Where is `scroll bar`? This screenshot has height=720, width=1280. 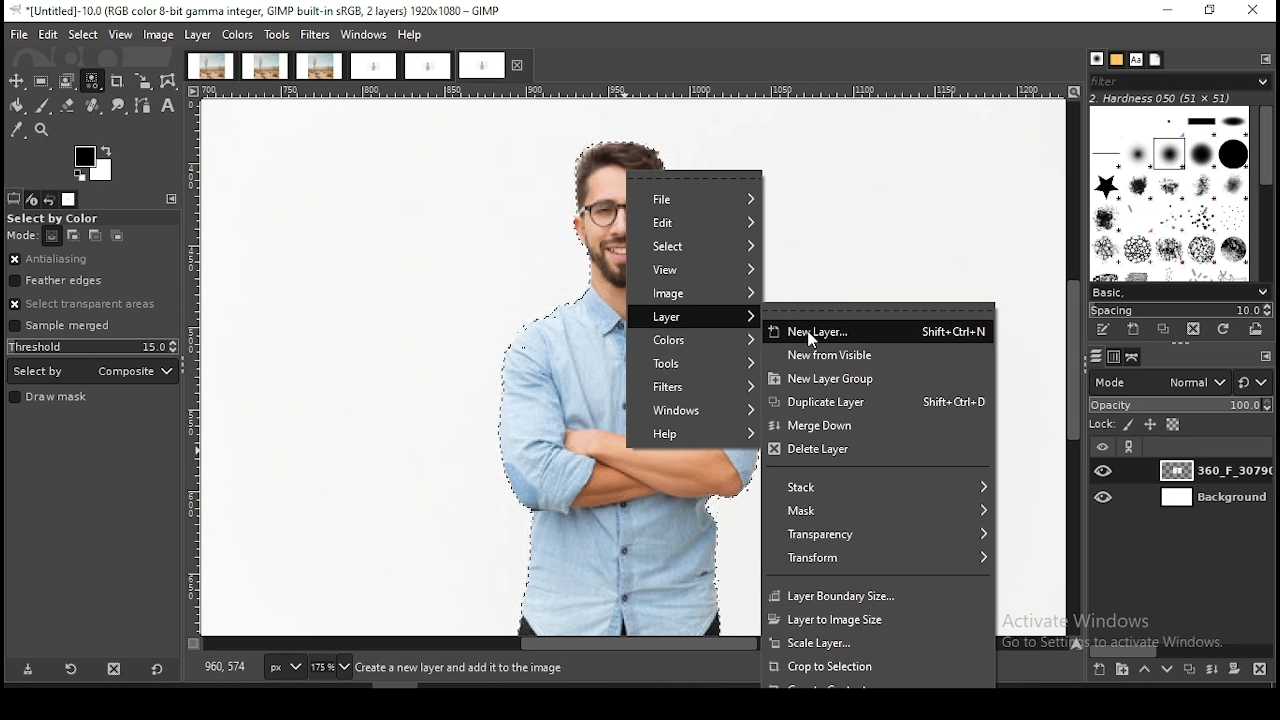
scroll bar is located at coordinates (1074, 368).